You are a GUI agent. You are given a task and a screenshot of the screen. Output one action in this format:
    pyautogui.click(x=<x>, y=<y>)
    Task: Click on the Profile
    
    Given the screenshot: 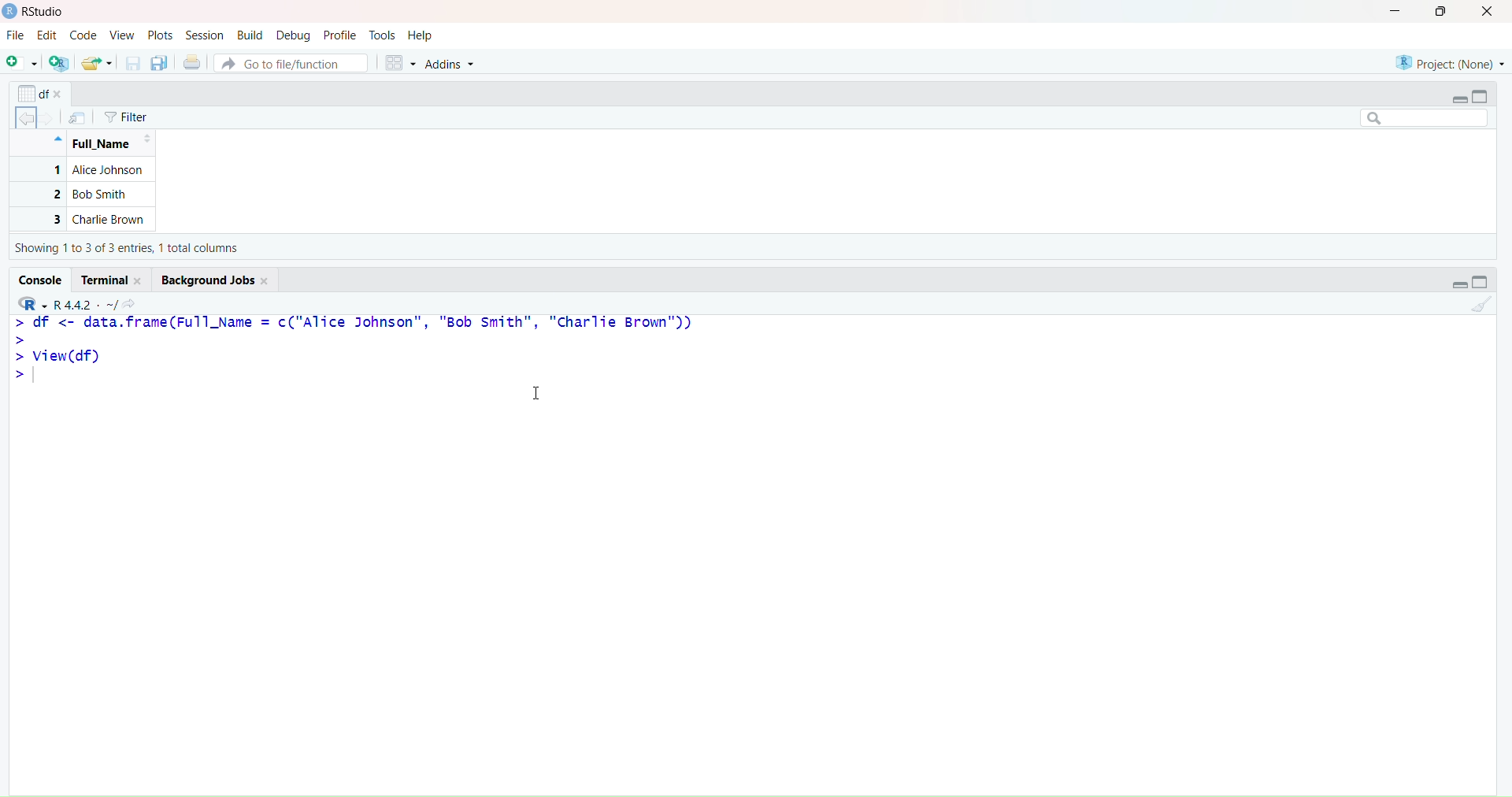 What is the action you would take?
    pyautogui.click(x=340, y=35)
    